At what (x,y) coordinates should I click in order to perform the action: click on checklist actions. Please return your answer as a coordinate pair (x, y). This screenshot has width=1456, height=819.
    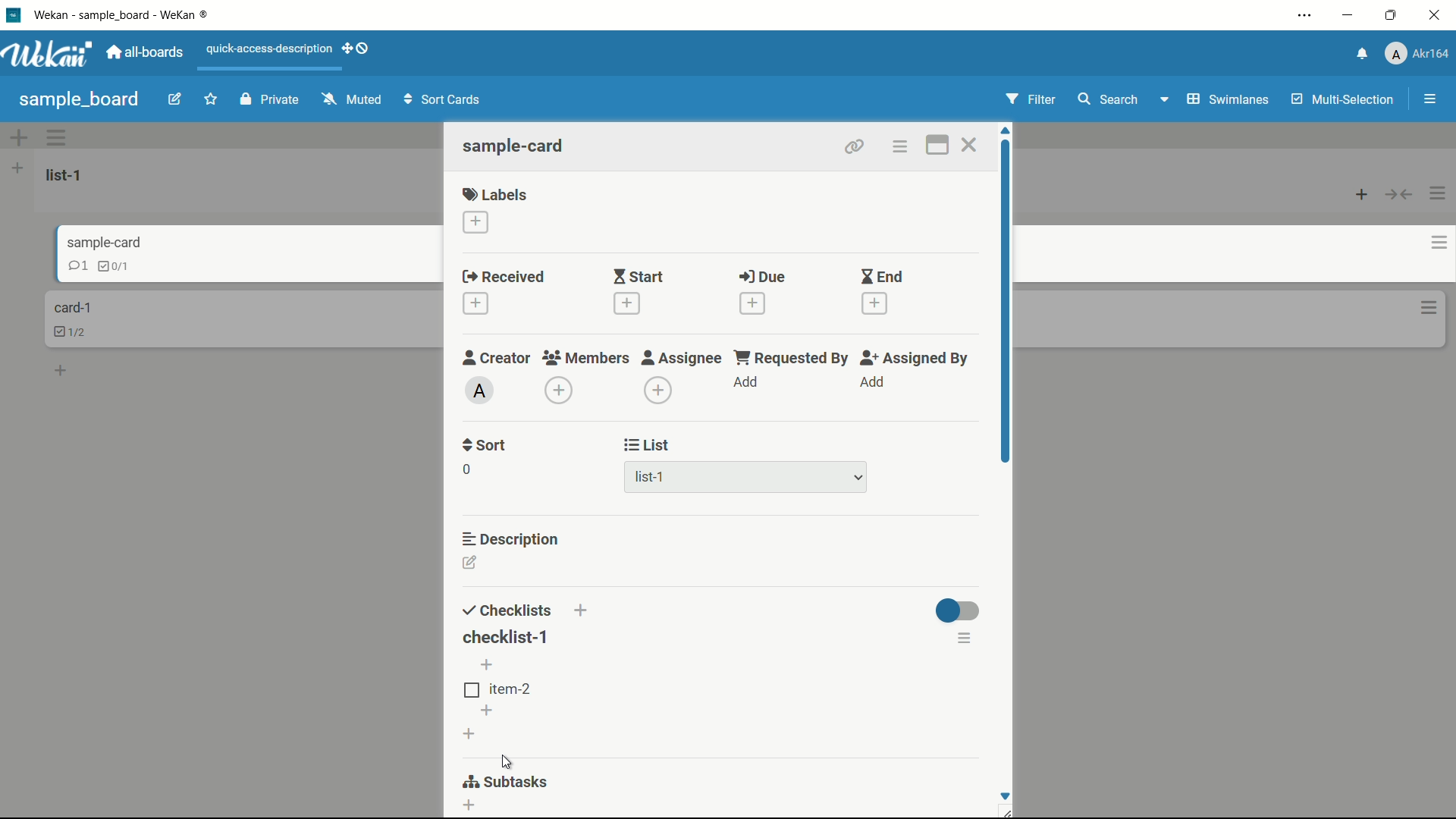
    Looking at the image, I should click on (966, 638).